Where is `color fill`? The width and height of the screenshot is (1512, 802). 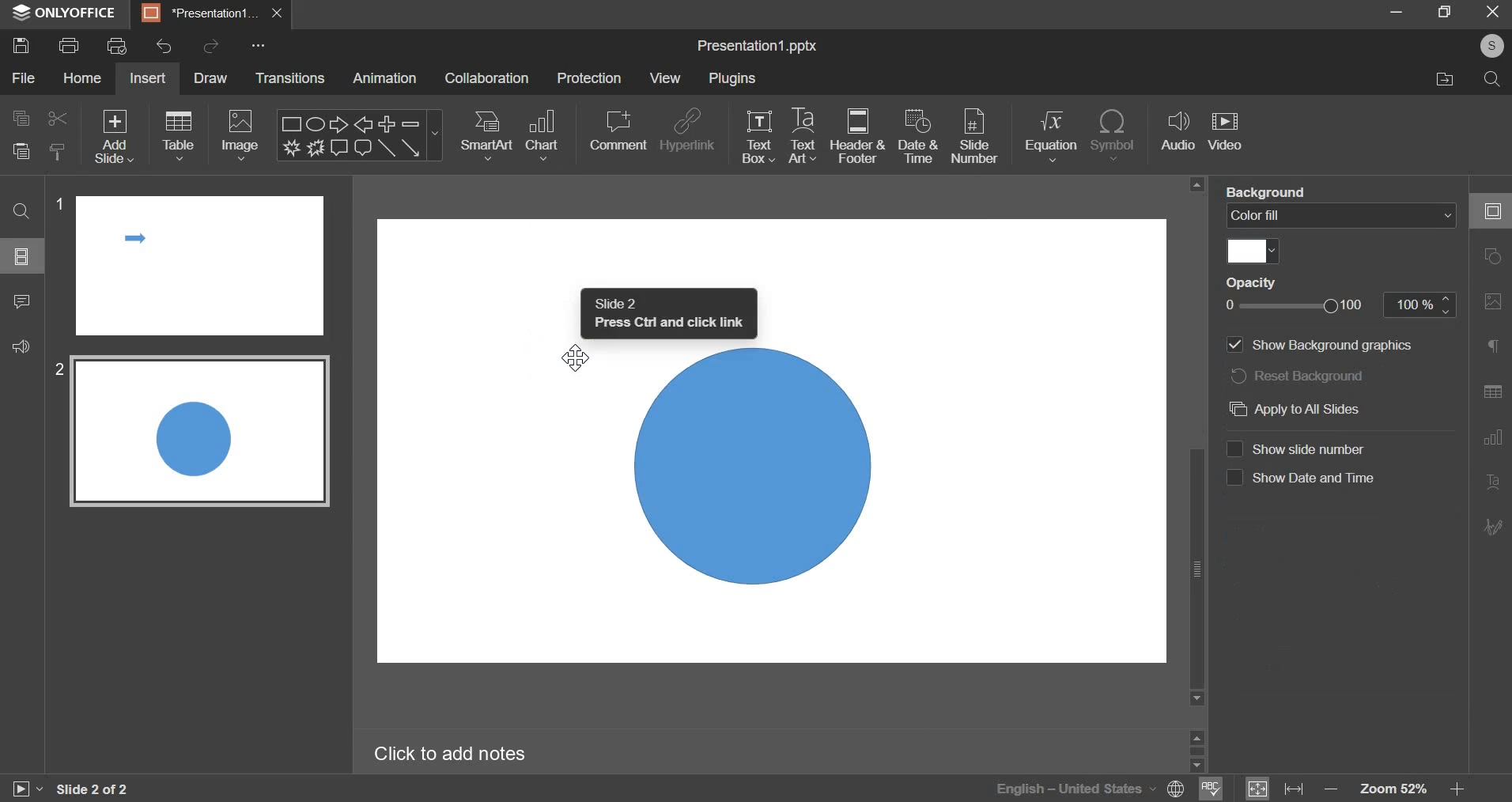 color fill is located at coordinates (1341, 216).